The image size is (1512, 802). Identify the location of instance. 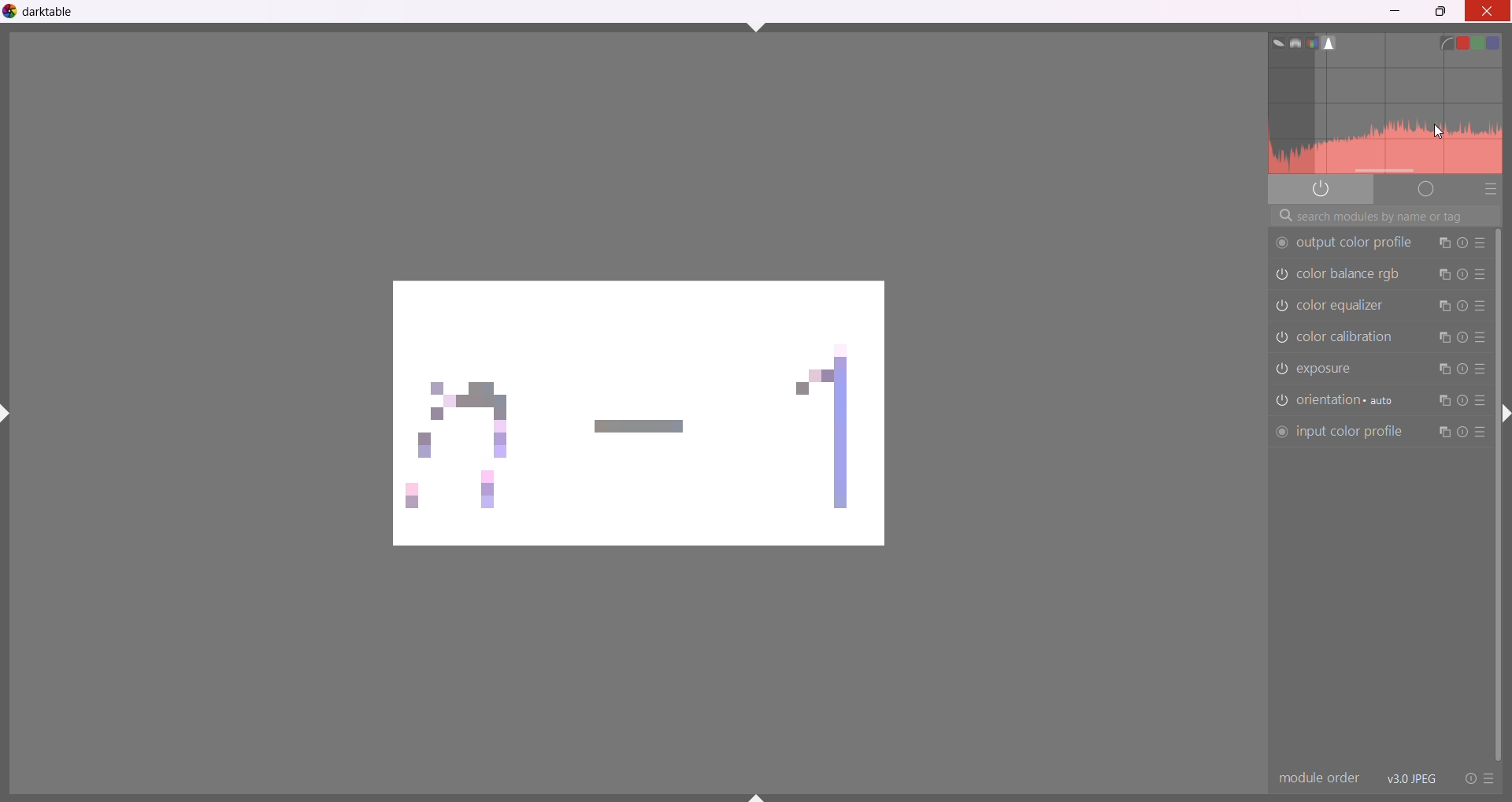
(1443, 306).